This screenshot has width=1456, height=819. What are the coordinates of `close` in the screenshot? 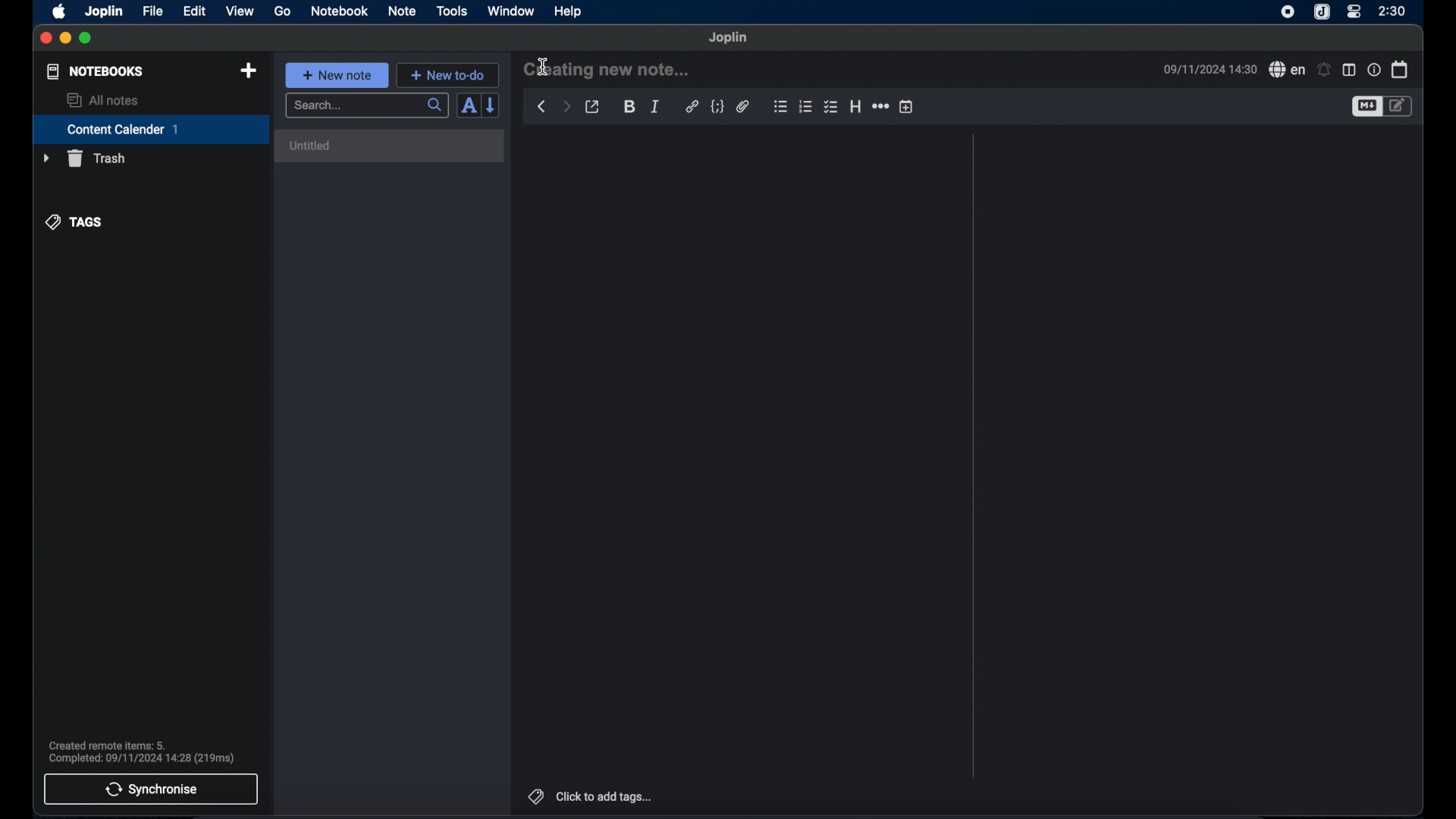 It's located at (45, 39).